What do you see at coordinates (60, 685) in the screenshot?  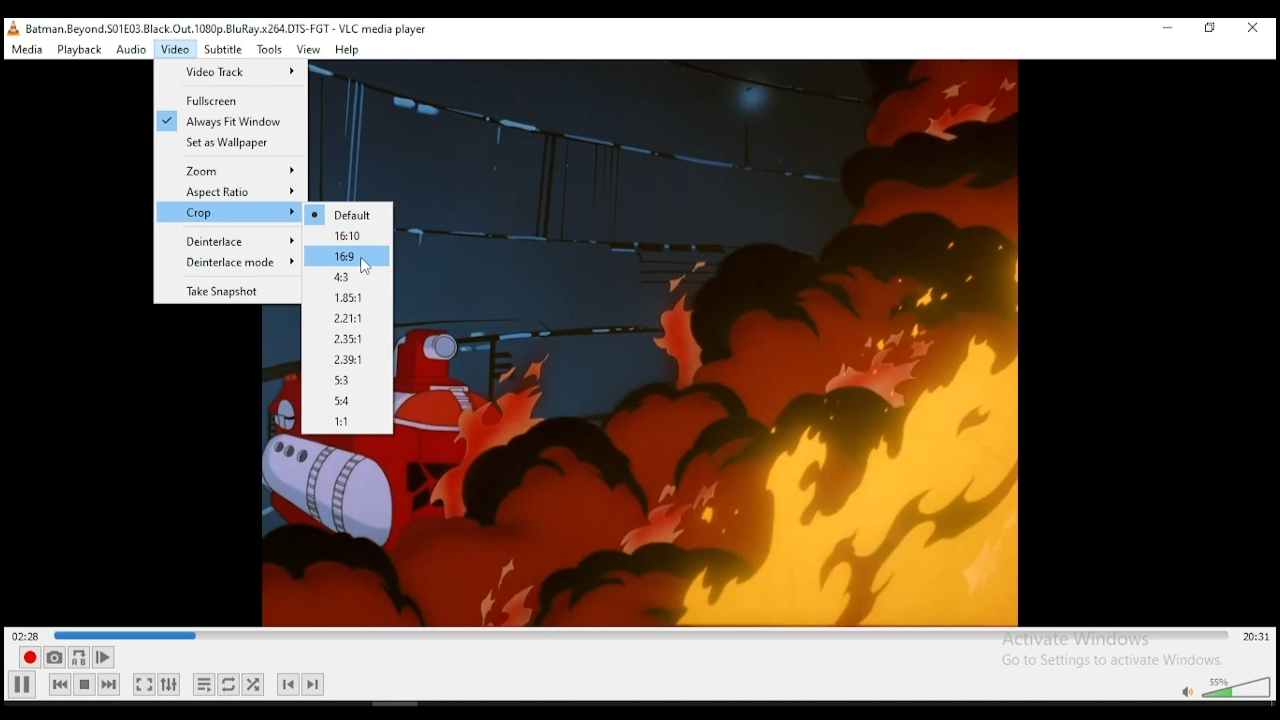 I see `previous media in playlist, skips backward when held` at bounding box center [60, 685].